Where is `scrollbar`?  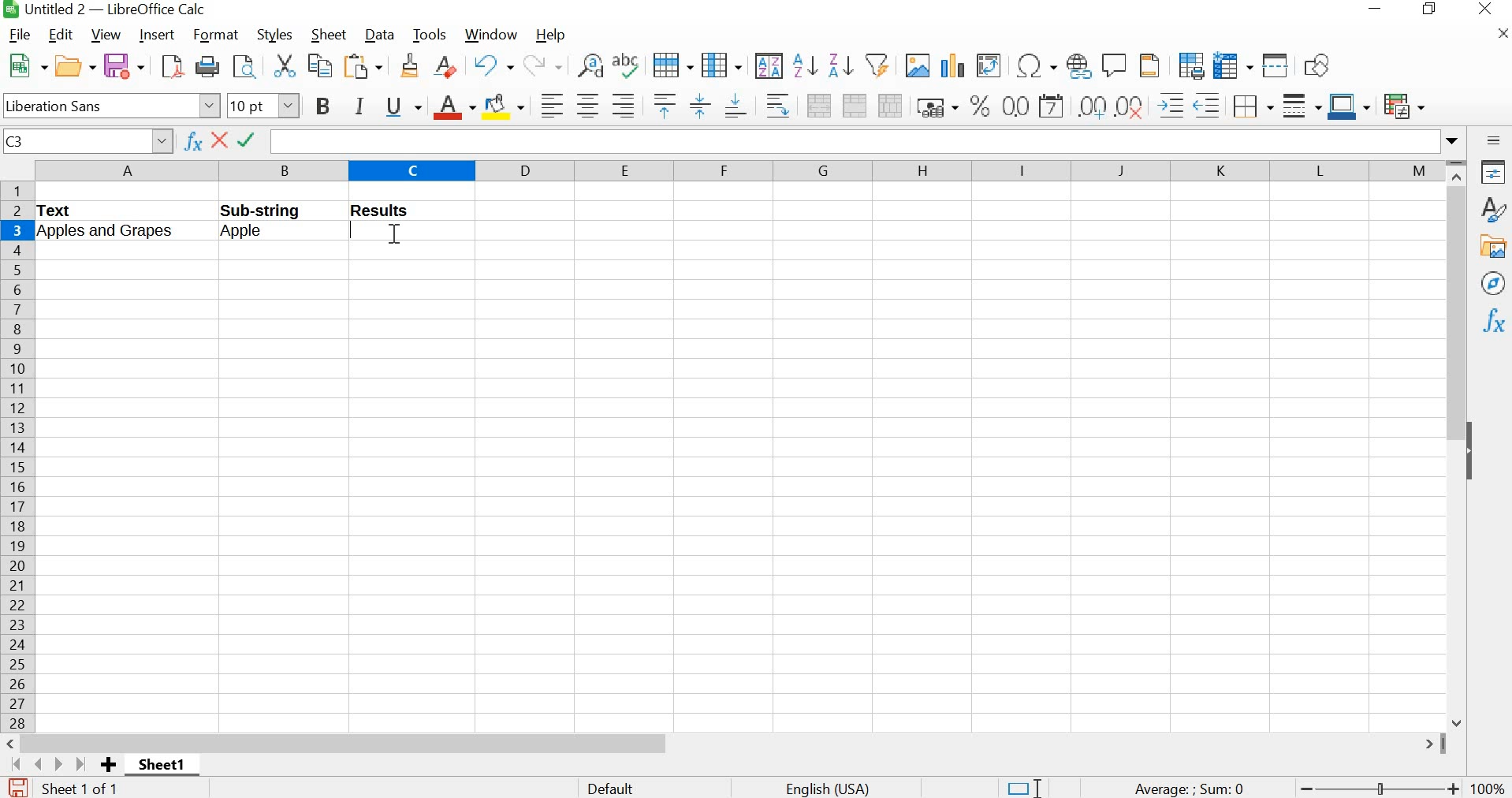
scrollbar is located at coordinates (728, 744).